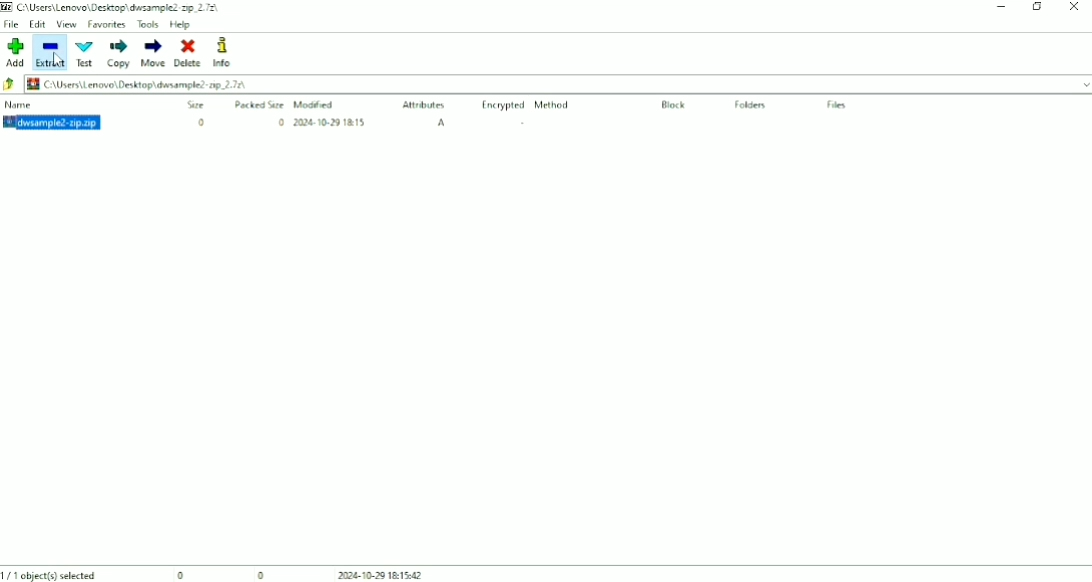 The height and width of the screenshot is (582, 1092). I want to click on Block, so click(674, 105).